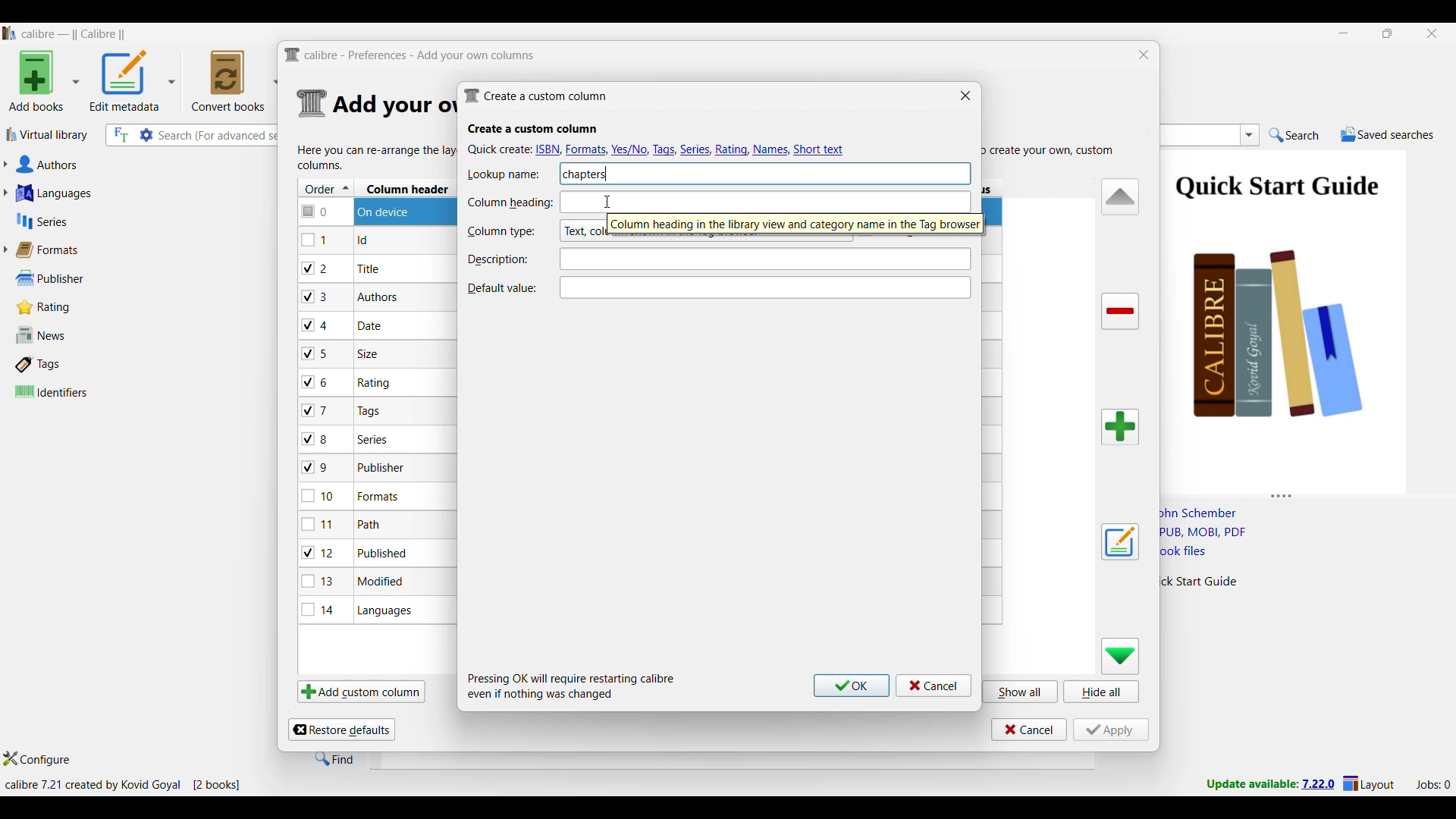 The height and width of the screenshot is (819, 1456). I want to click on checkbox - 14, so click(318, 609).